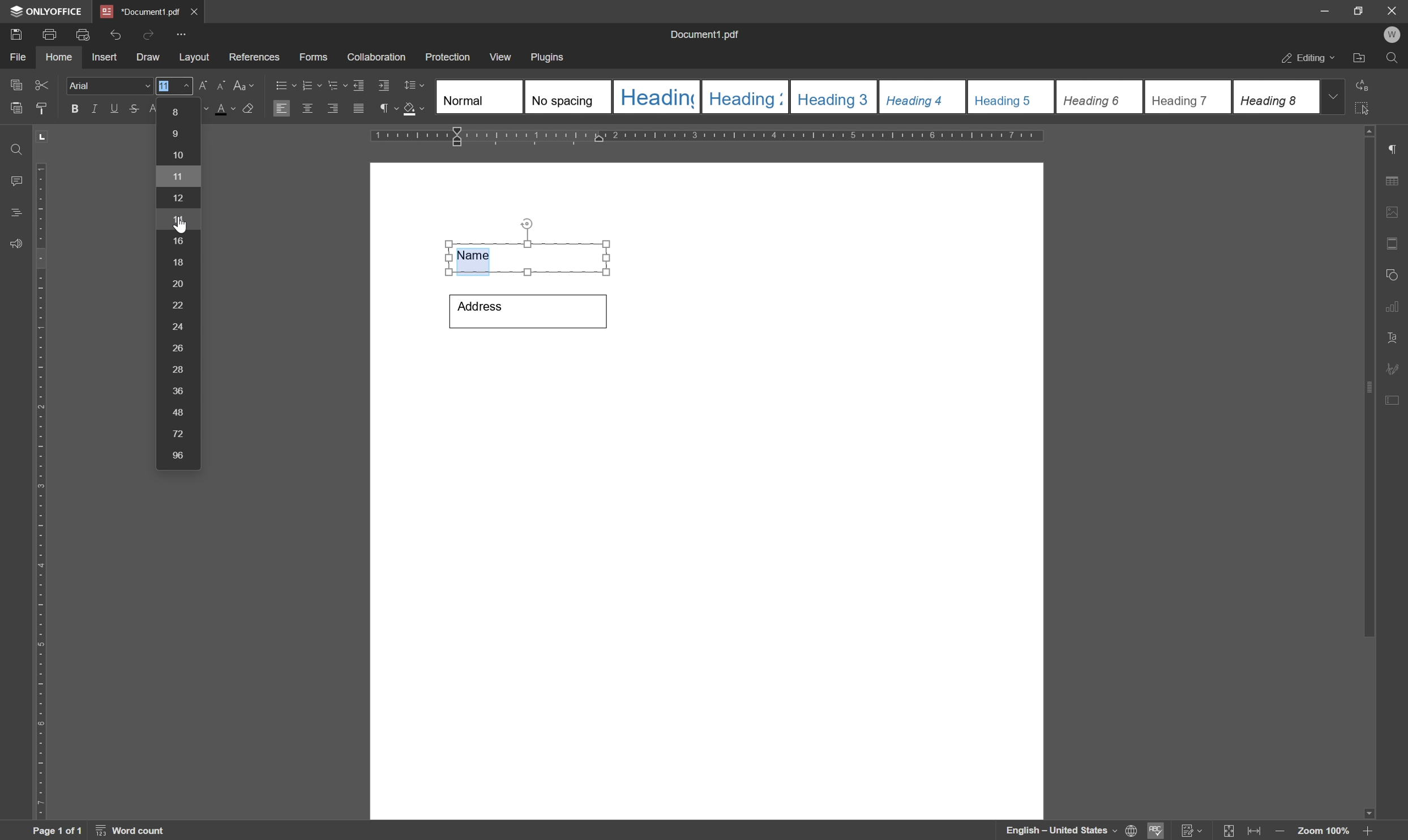 The height and width of the screenshot is (840, 1408). Describe the element at coordinates (115, 32) in the screenshot. I see `undo` at that location.